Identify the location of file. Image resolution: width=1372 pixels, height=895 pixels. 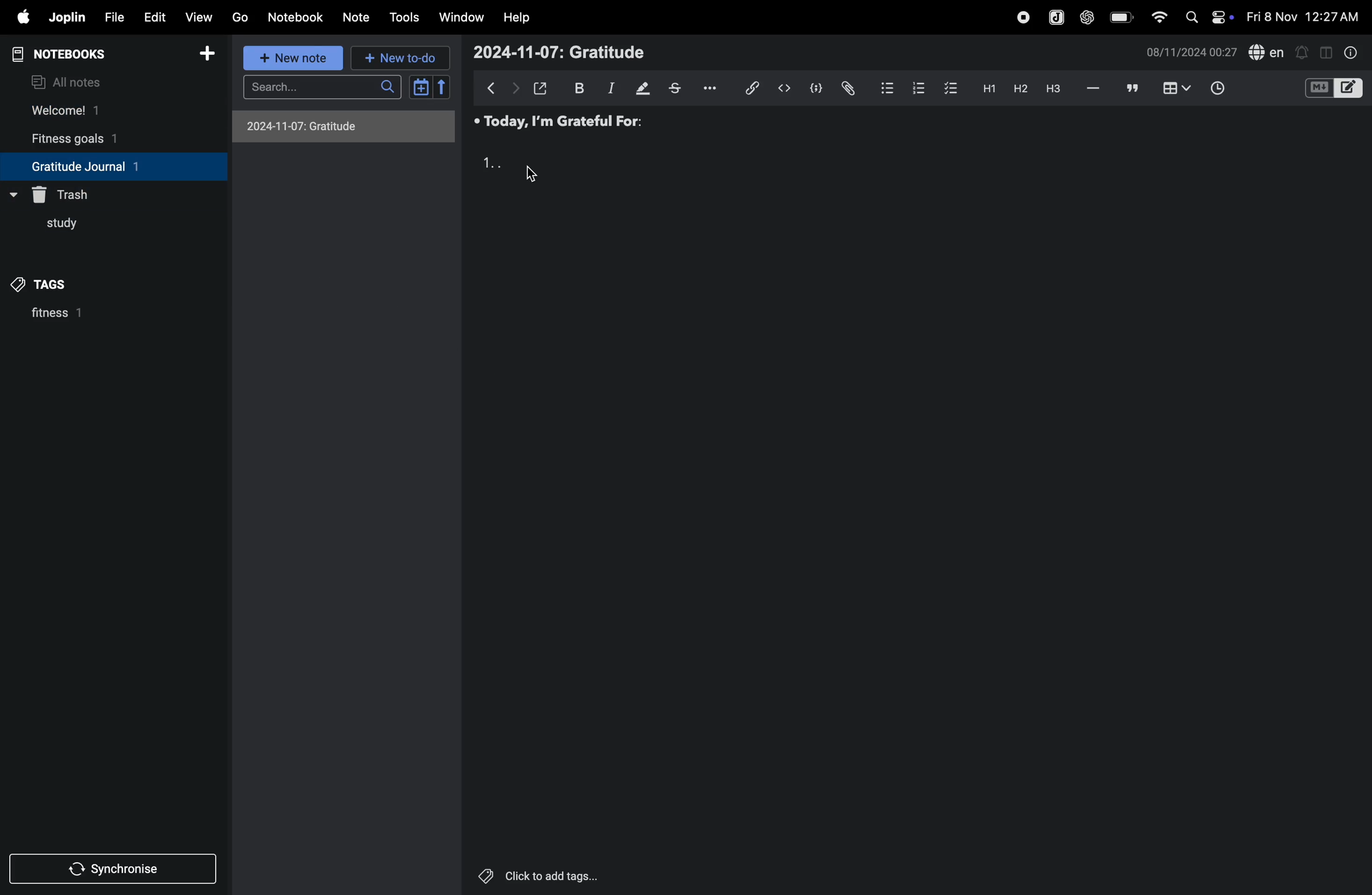
(114, 17).